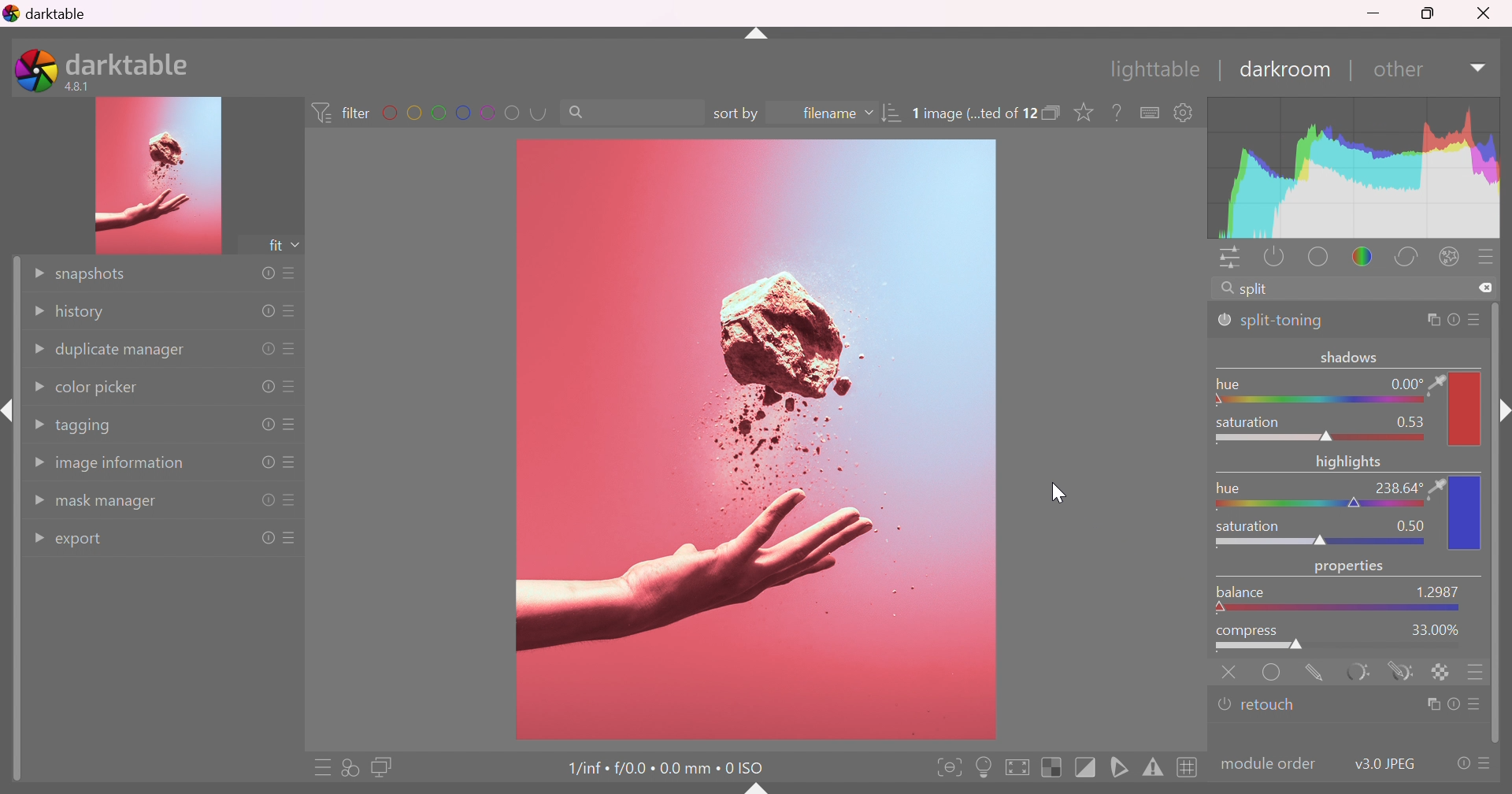  What do you see at coordinates (1440, 673) in the screenshot?
I see `rastor marks` at bounding box center [1440, 673].